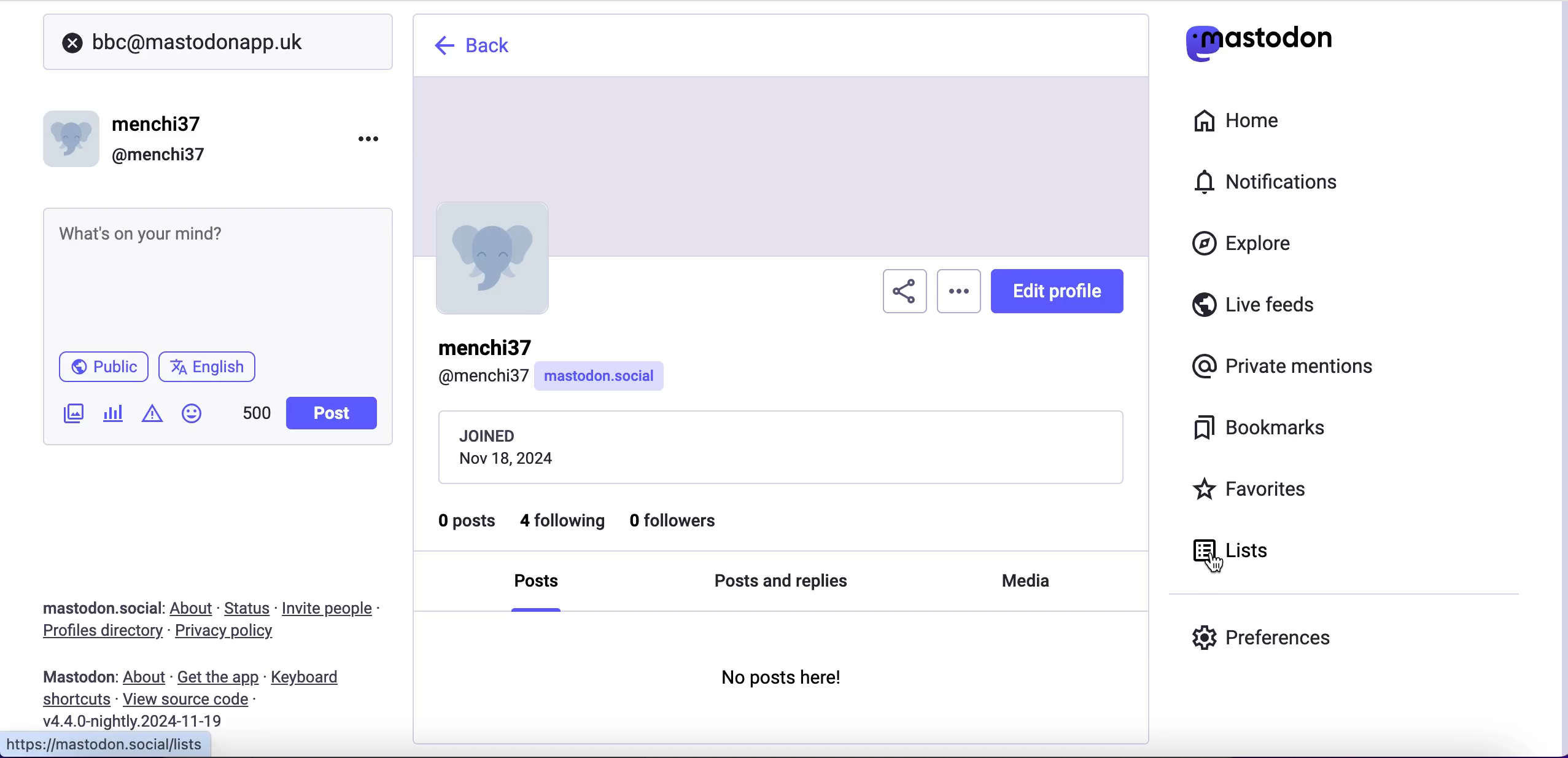 The height and width of the screenshot is (758, 1568). I want to click on private mentions, so click(1287, 368).